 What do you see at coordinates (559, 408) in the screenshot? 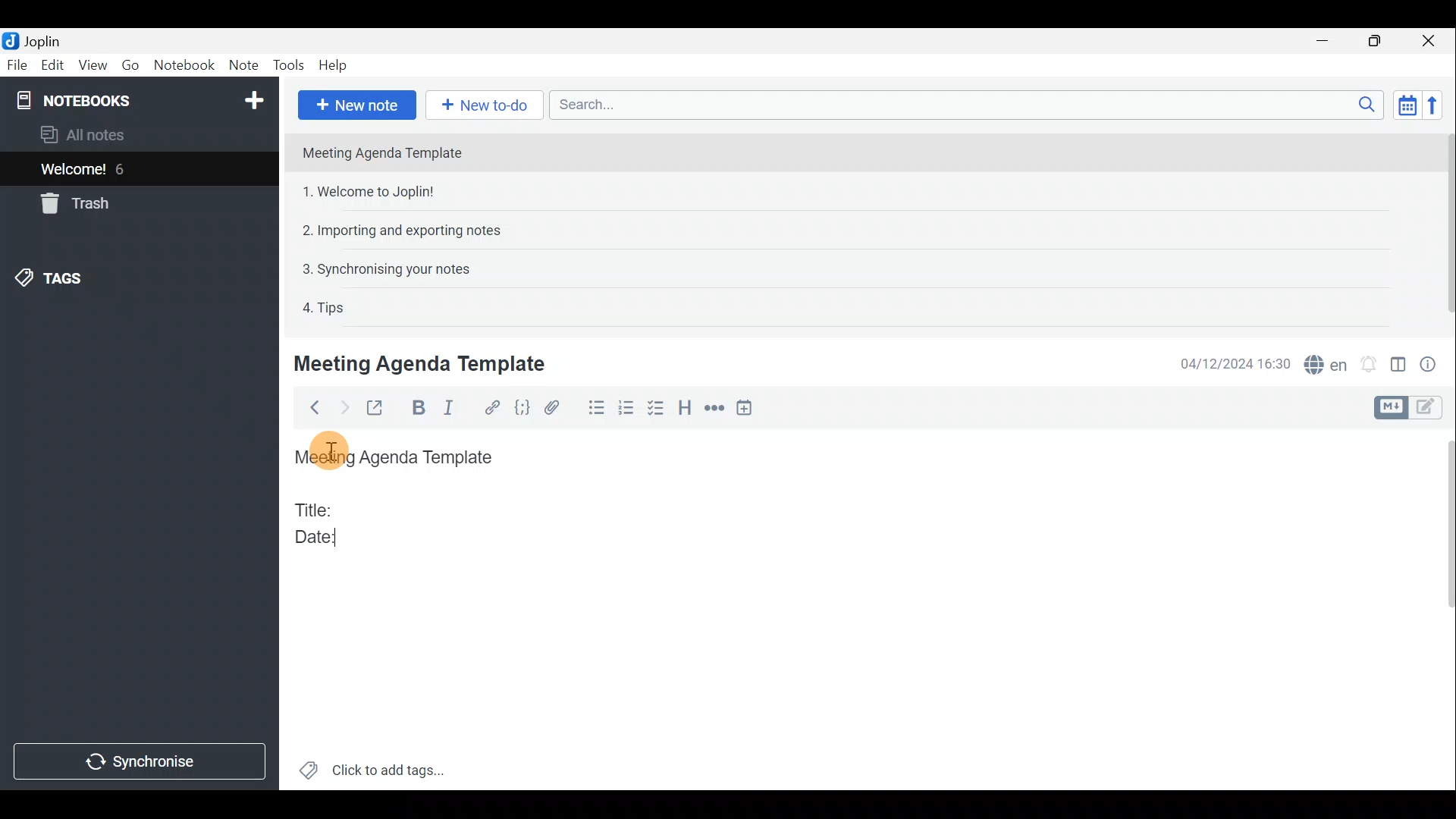
I see `Attach file` at bounding box center [559, 408].